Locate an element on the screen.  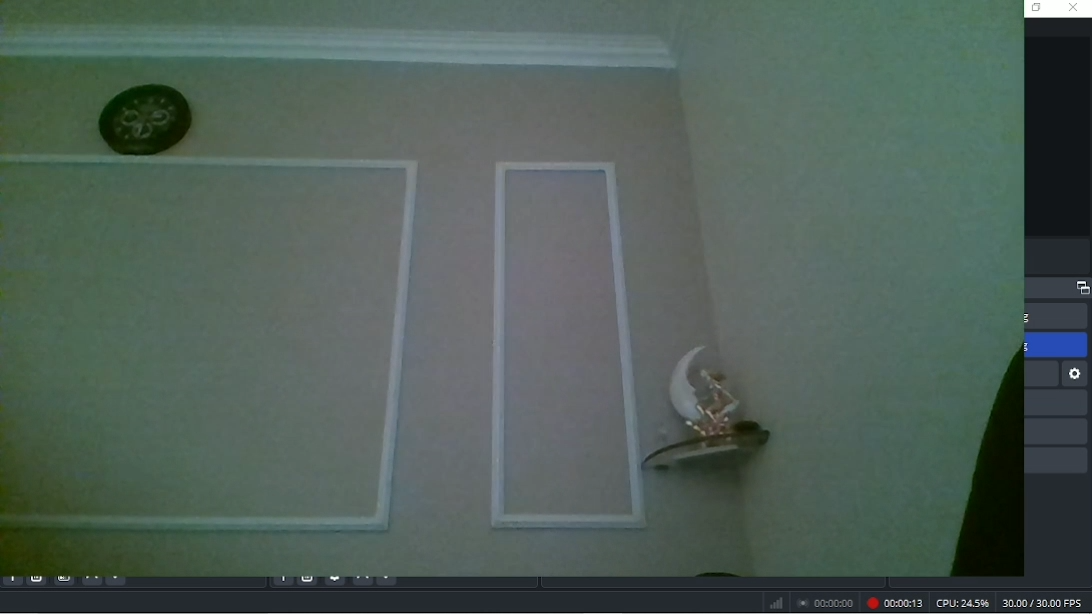
Webcam source added is located at coordinates (509, 289).